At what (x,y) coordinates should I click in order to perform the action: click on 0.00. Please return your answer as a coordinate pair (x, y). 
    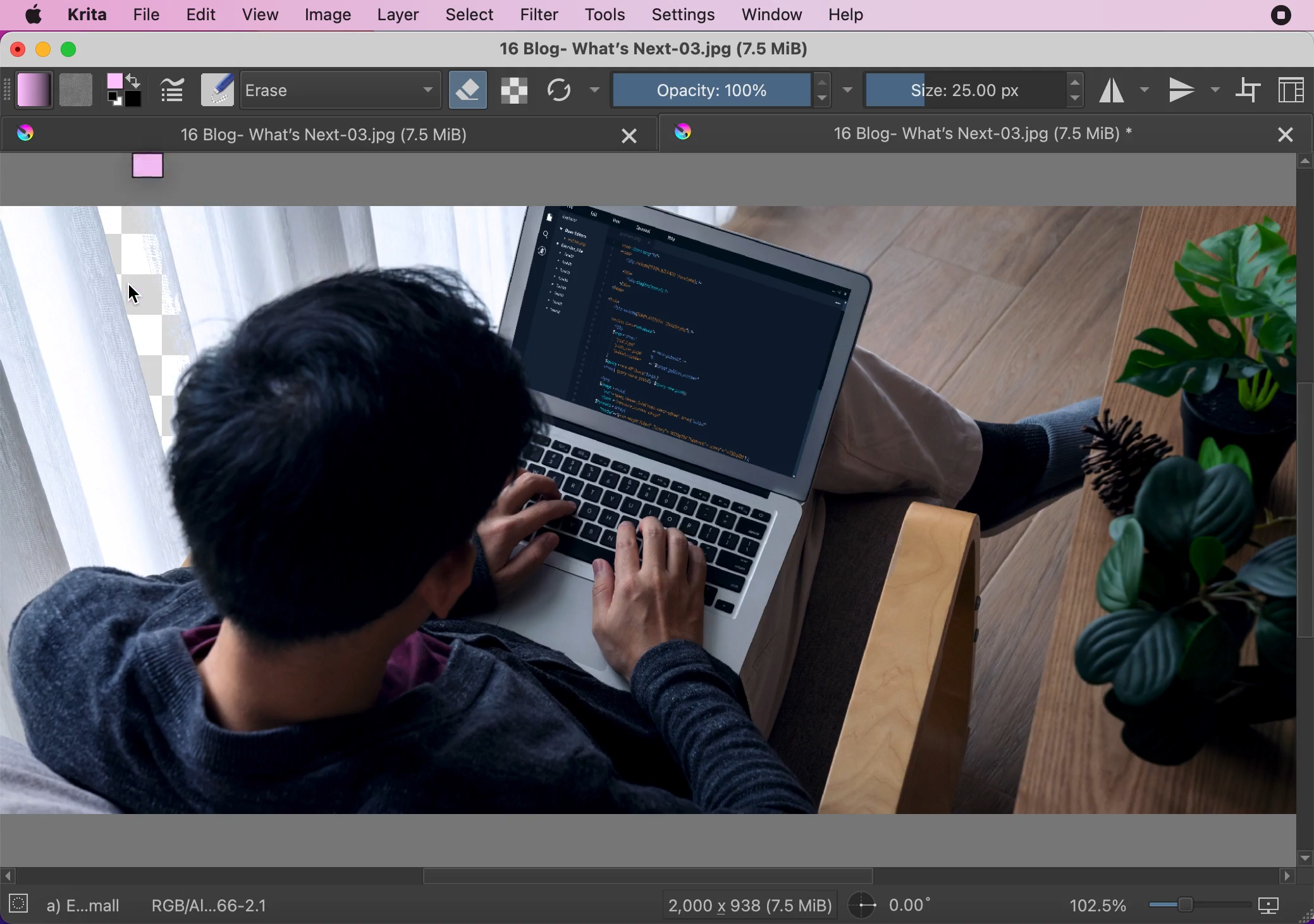
    Looking at the image, I should click on (904, 905).